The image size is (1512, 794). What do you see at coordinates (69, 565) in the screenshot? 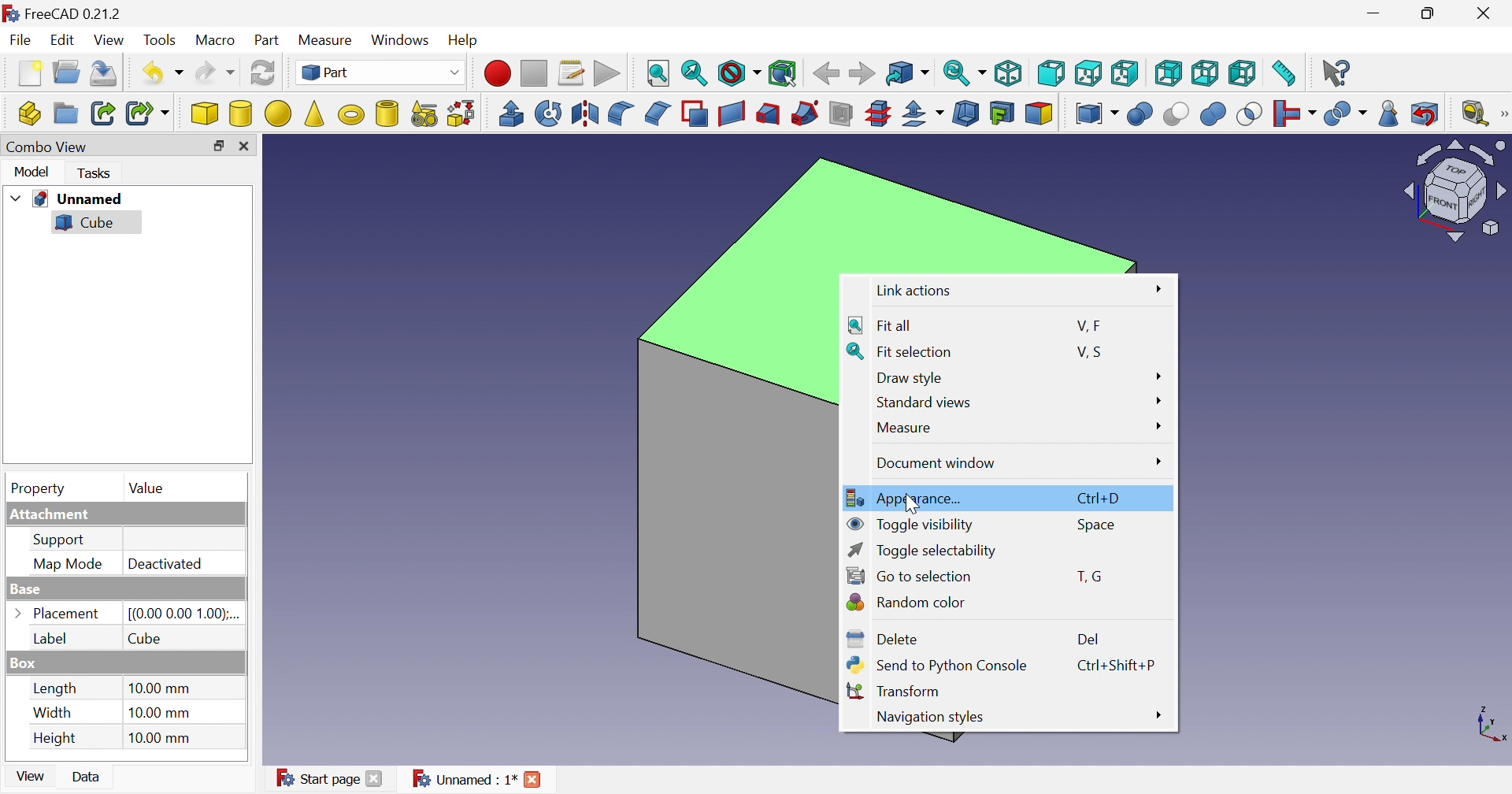
I see `MAP MODE` at bounding box center [69, 565].